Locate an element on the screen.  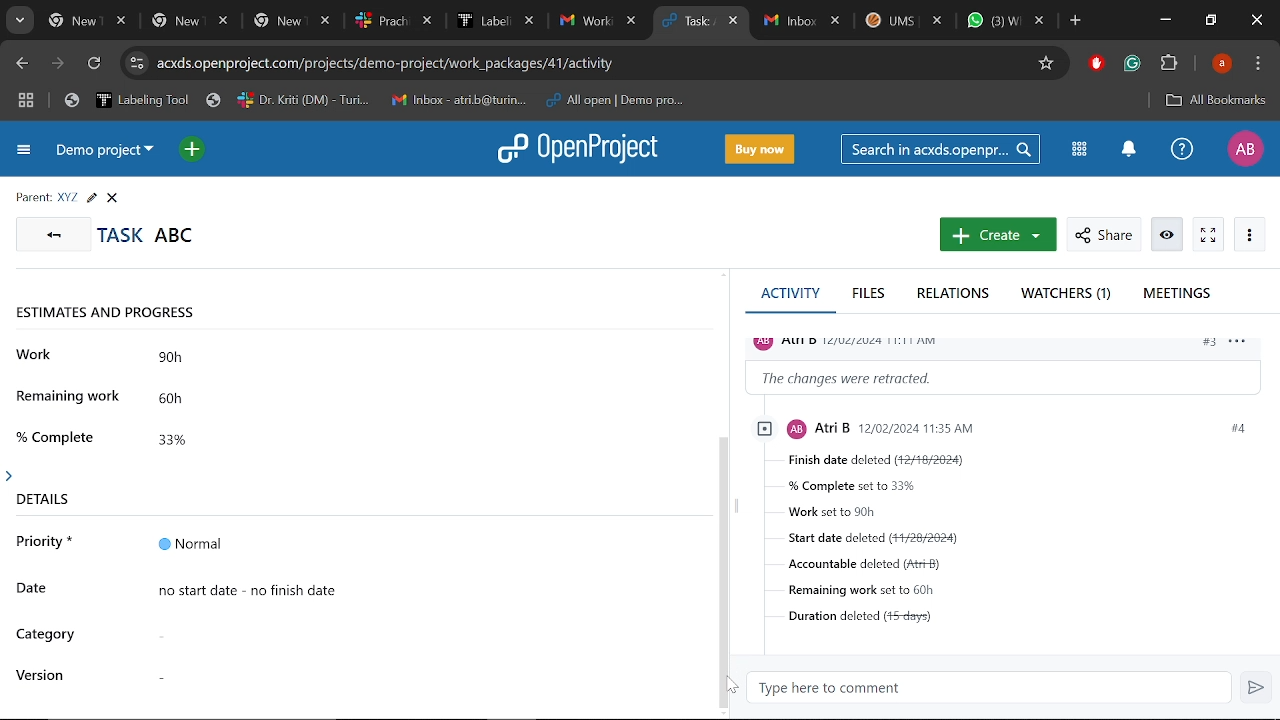
Search tabs is located at coordinates (18, 21).